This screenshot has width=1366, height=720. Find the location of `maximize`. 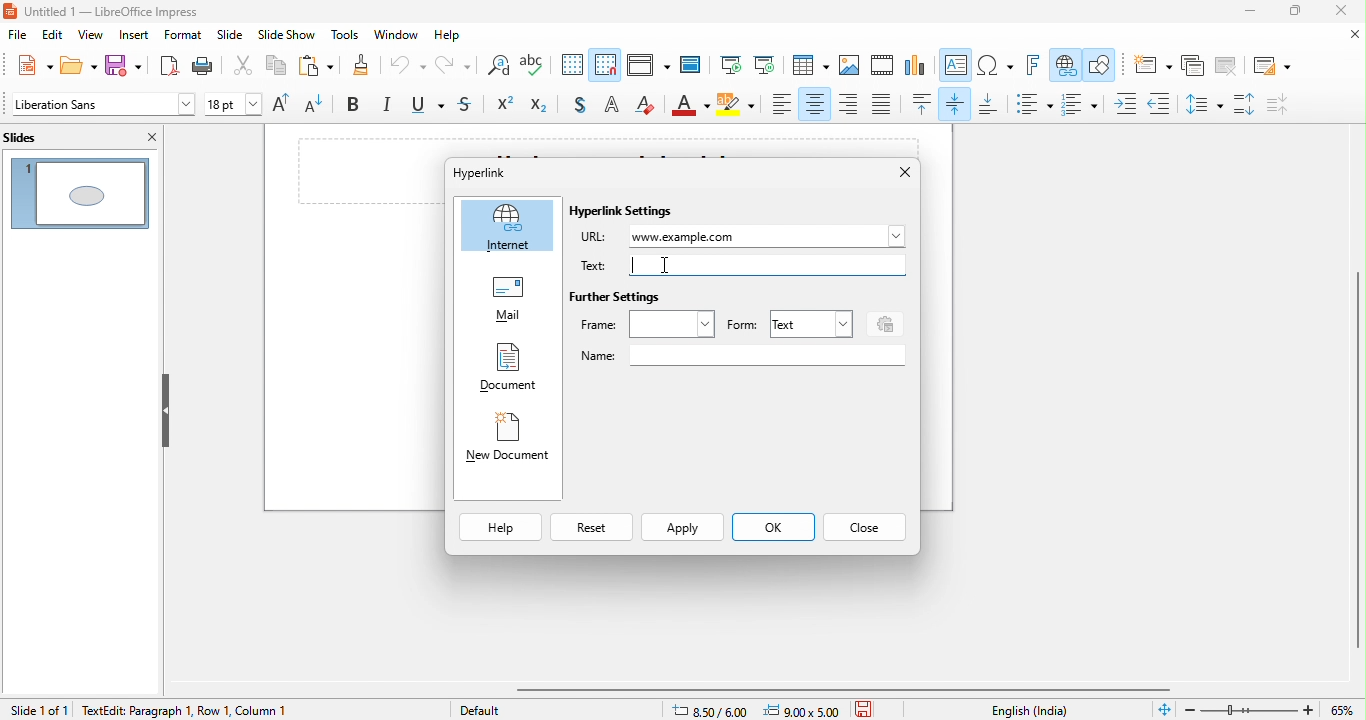

maximize is located at coordinates (1293, 13).